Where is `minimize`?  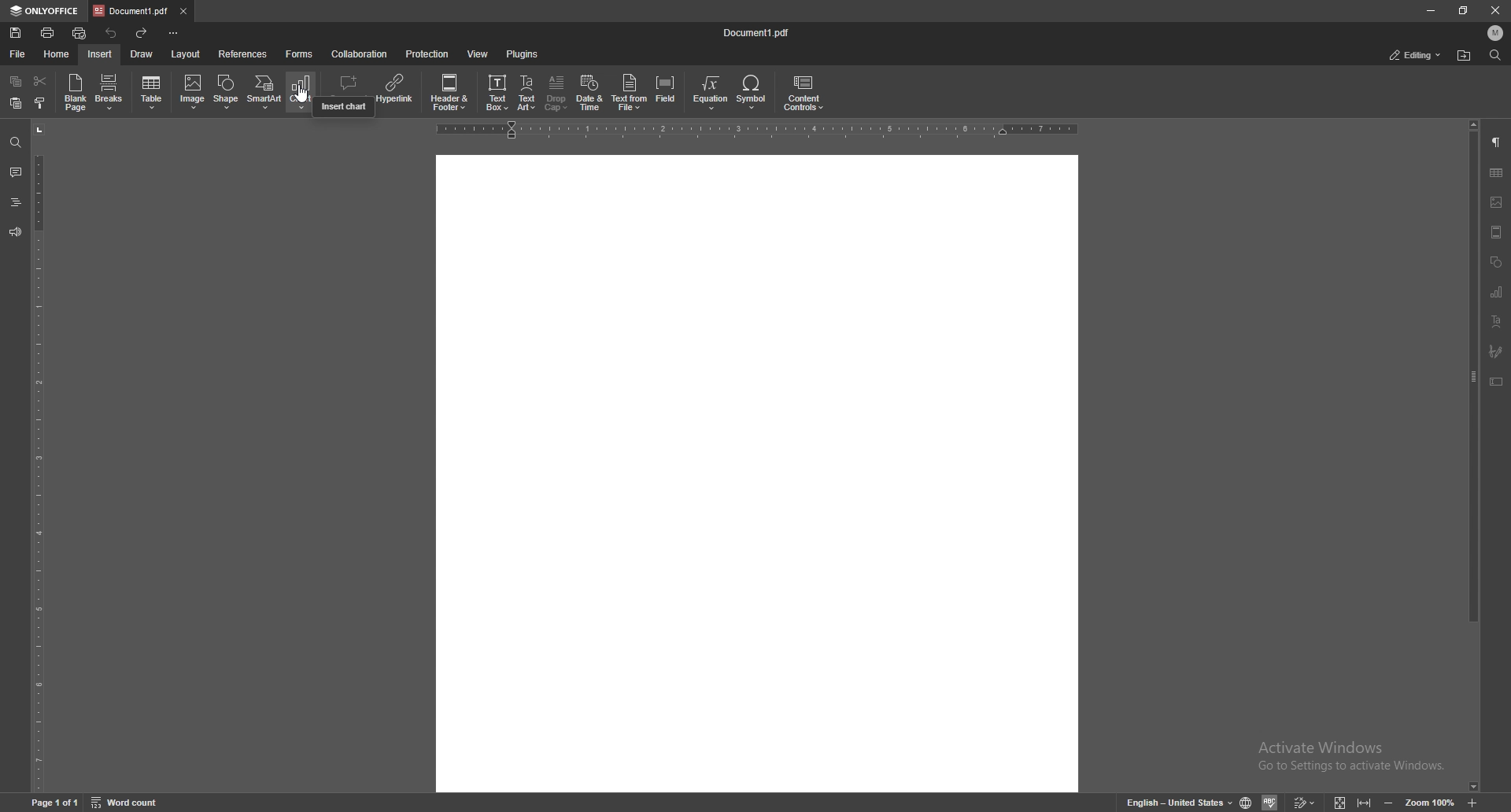 minimize is located at coordinates (1386, 803).